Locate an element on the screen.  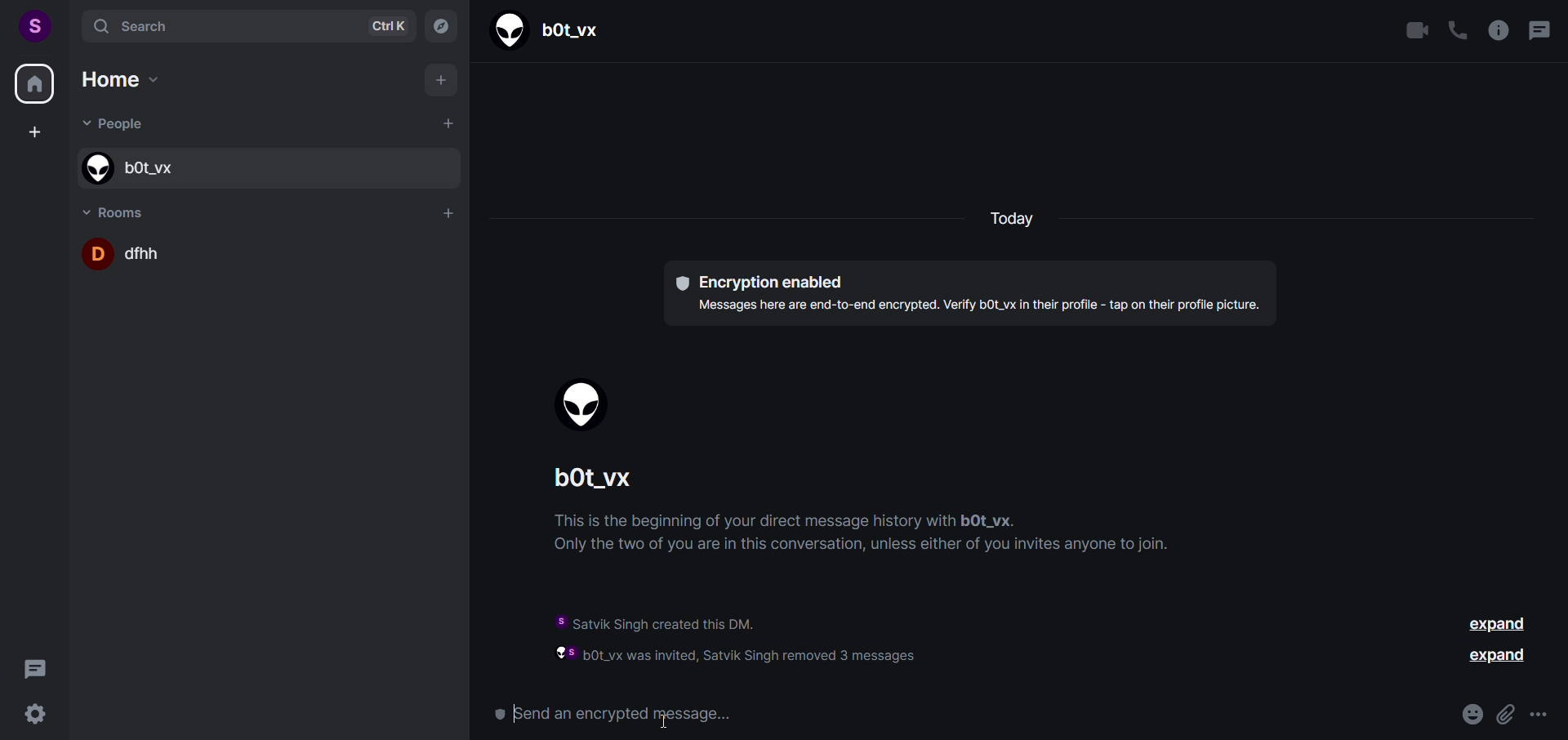
text is located at coordinates (974, 293).